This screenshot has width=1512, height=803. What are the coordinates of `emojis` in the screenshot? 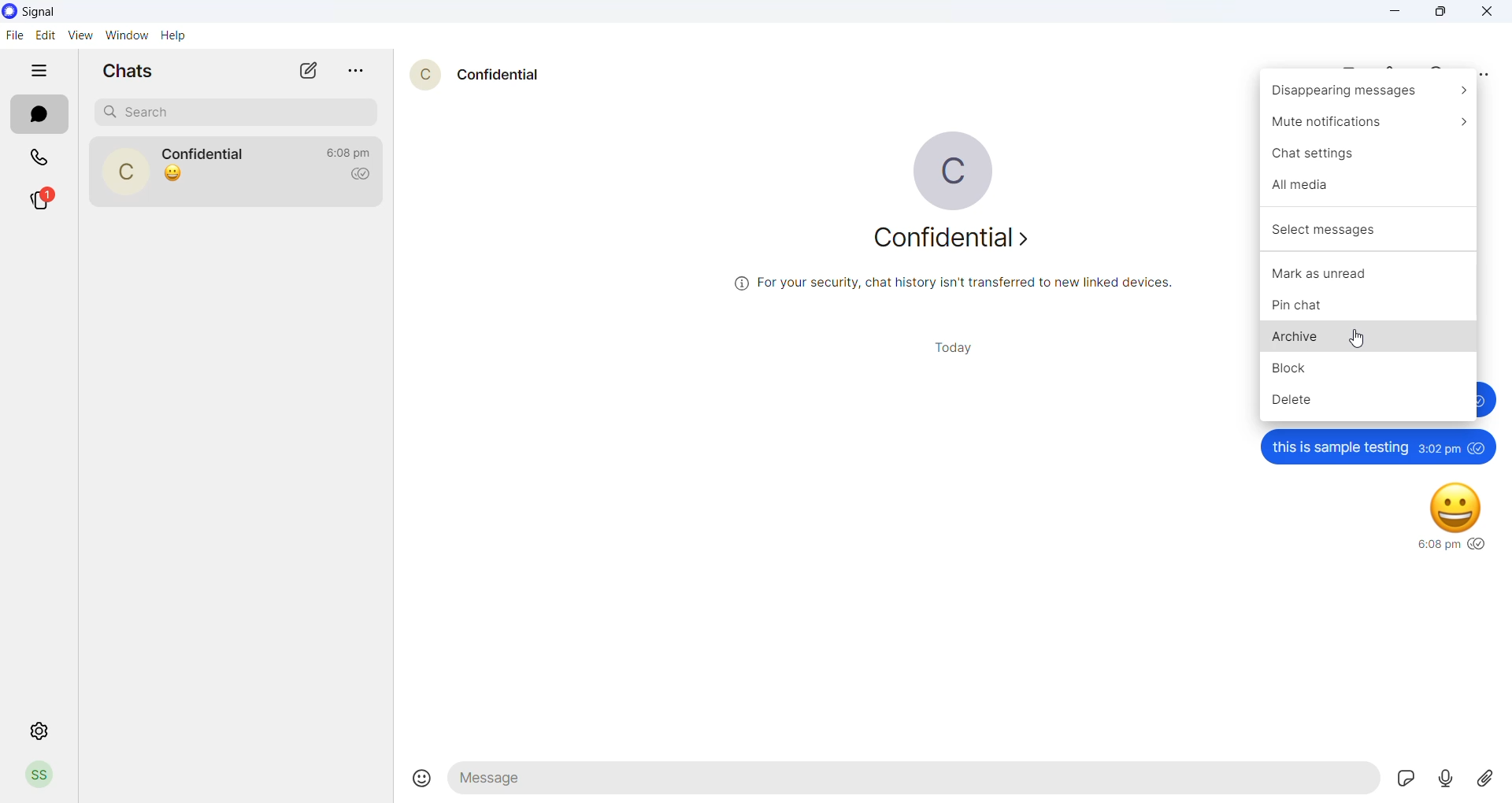 It's located at (417, 780).